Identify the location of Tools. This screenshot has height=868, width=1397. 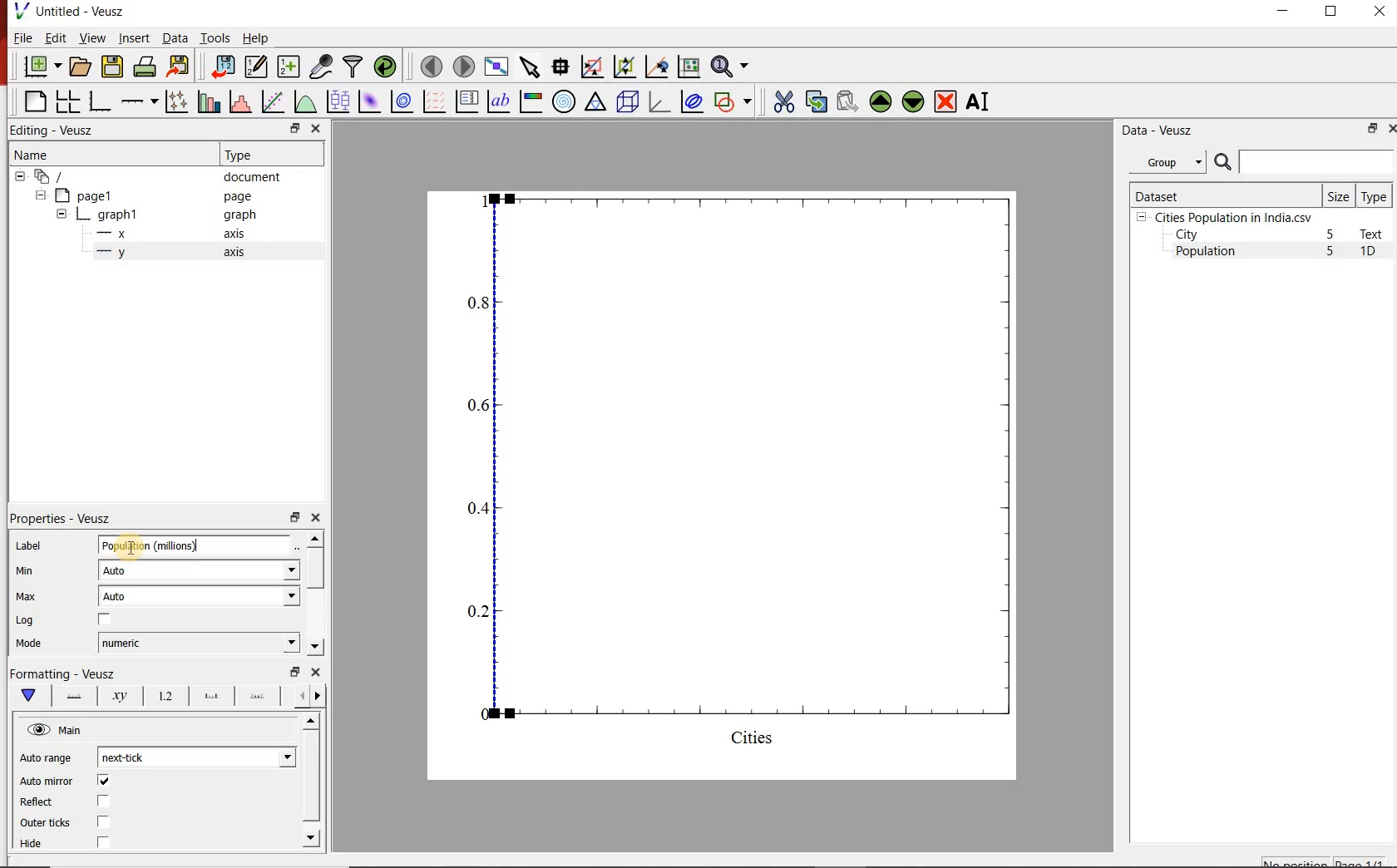
(214, 37).